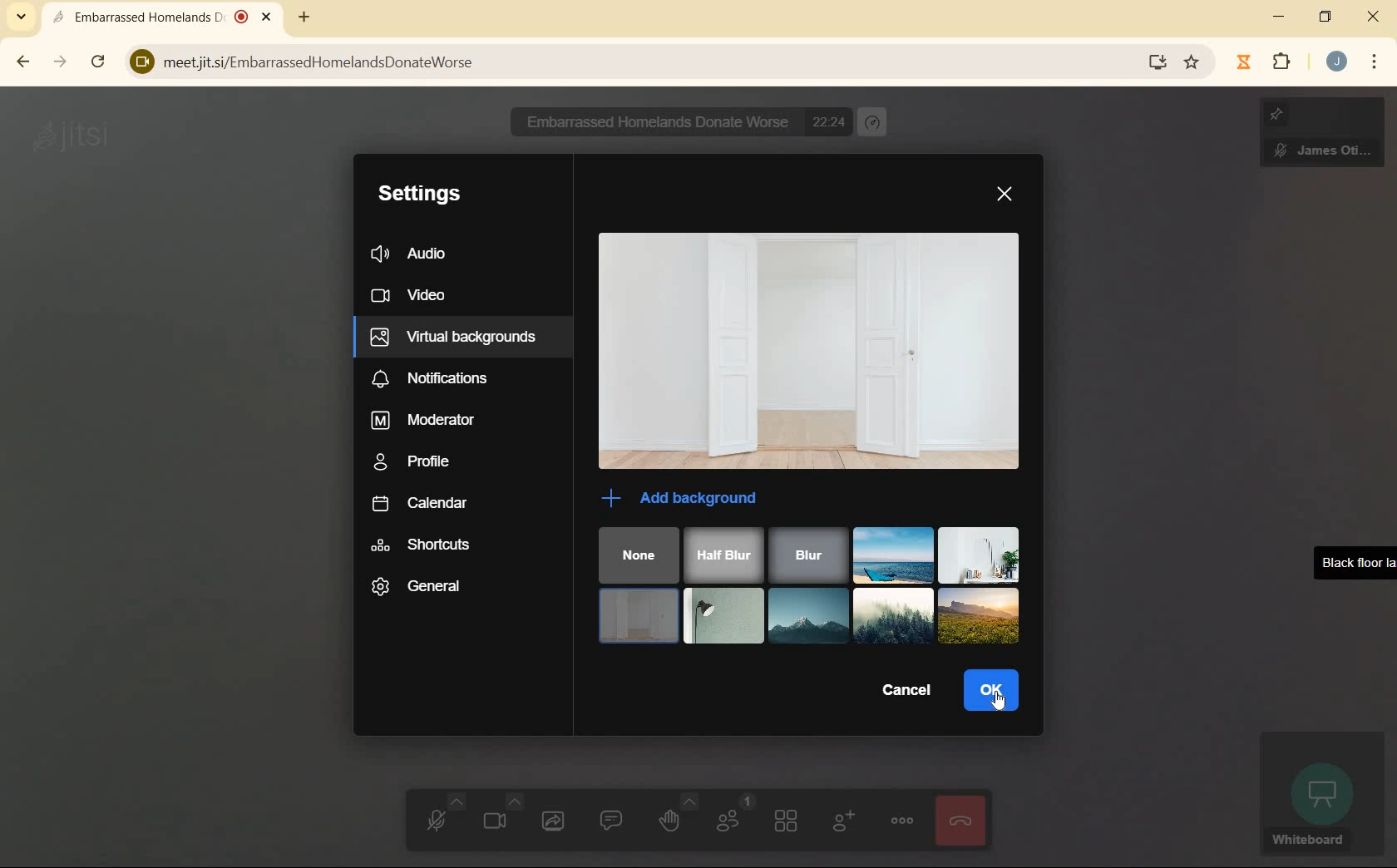  What do you see at coordinates (411, 298) in the screenshot?
I see `video` at bounding box center [411, 298].